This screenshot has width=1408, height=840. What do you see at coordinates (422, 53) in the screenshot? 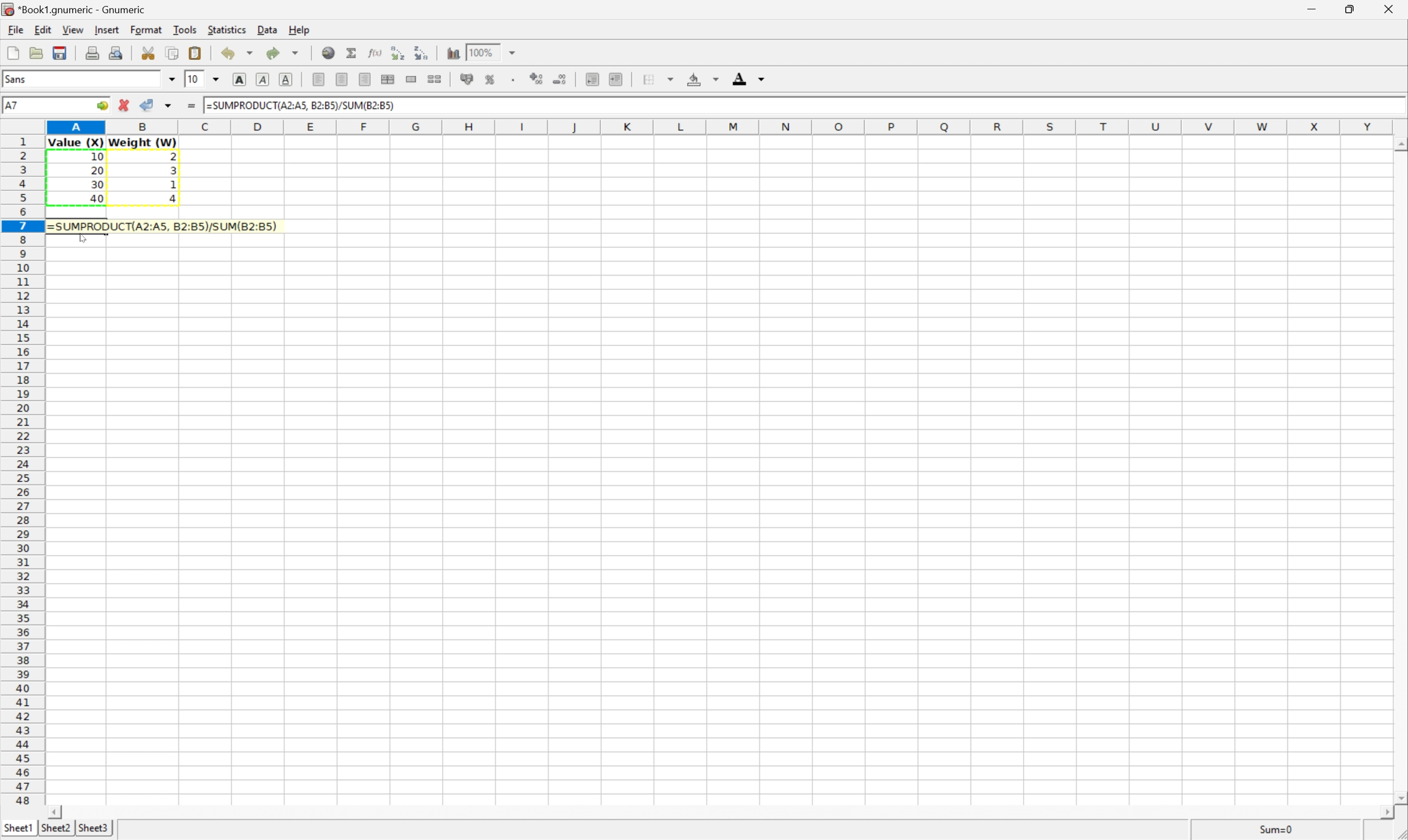
I see `Sort the selected region in descending order based on the first column selected` at bounding box center [422, 53].